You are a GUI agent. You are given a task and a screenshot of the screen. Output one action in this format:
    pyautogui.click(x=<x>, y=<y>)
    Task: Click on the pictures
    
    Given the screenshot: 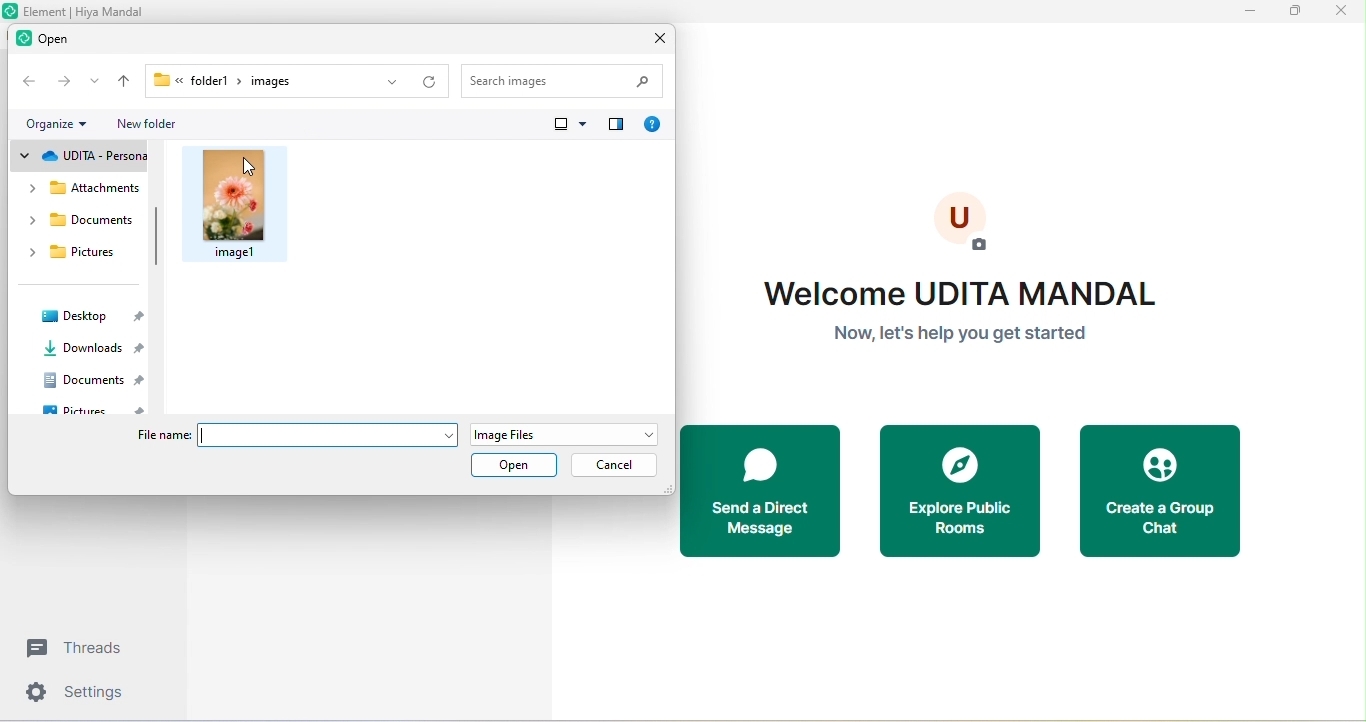 What is the action you would take?
    pyautogui.click(x=76, y=256)
    